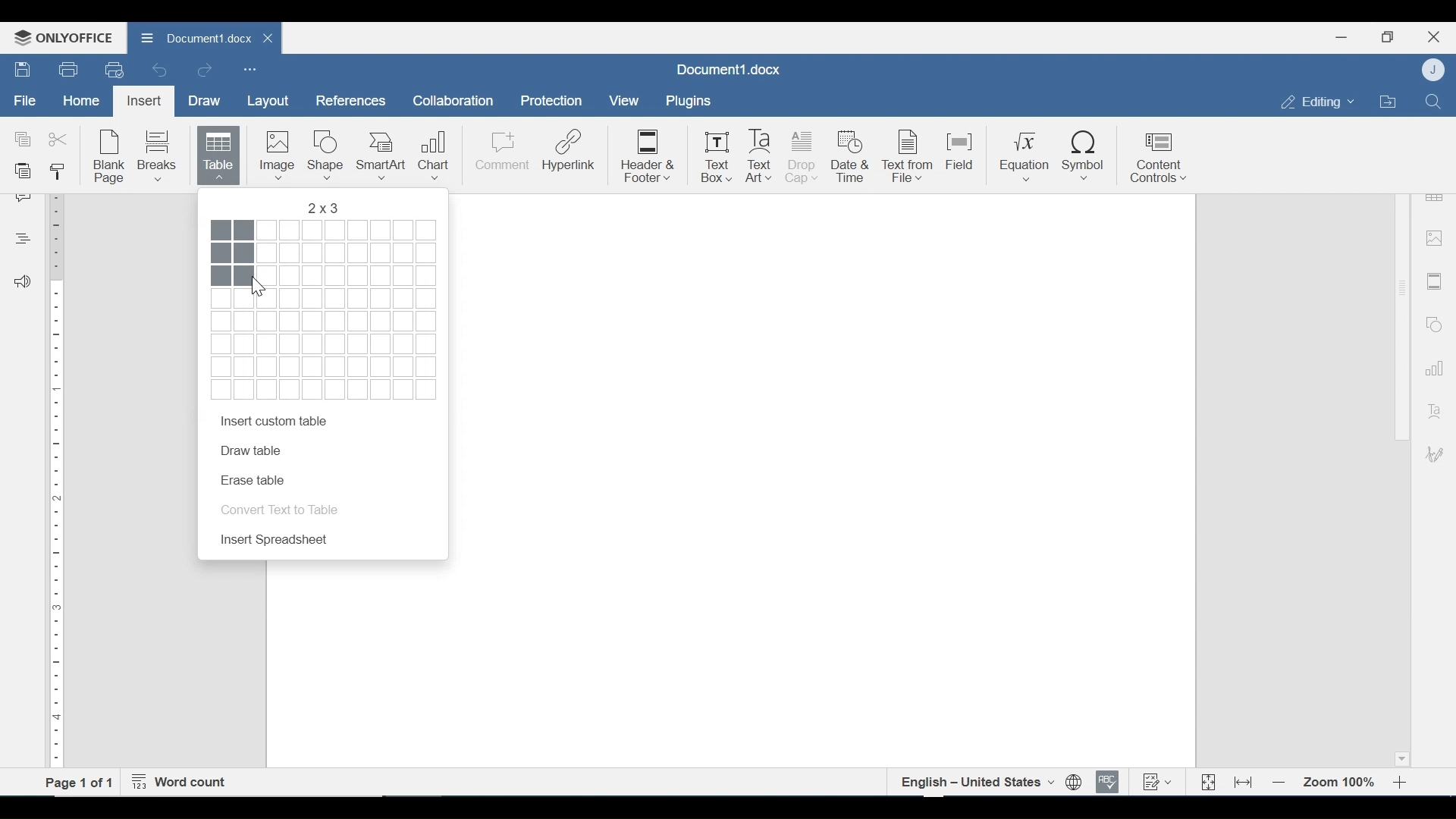 This screenshot has width=1456, height=819. I want to click on Zoom out, so click(1279, 783).